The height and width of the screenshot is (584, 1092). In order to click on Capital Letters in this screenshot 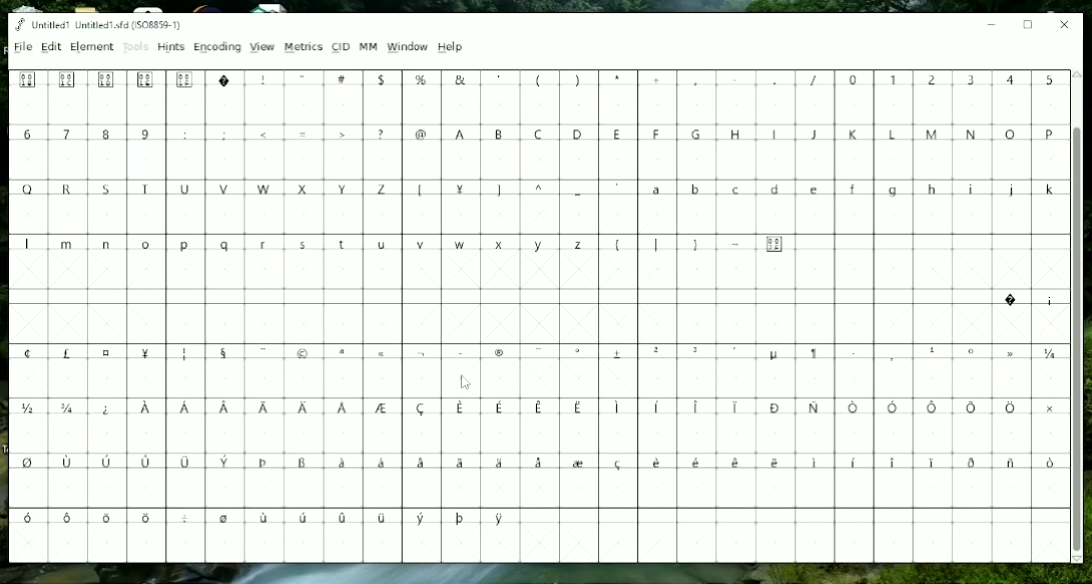, I will do `click(755, 136)`.